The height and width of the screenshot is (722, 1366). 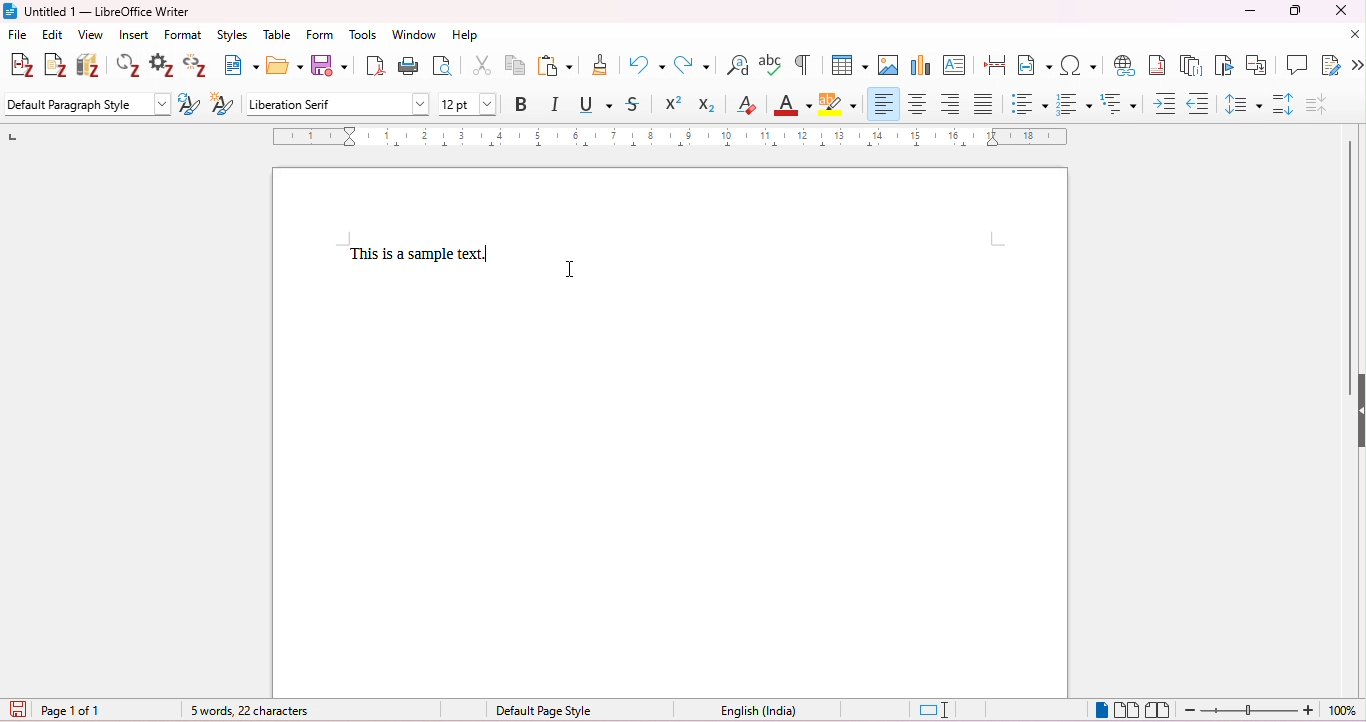 I want to click on insert track changes functions, so click(x=1331, y=64).